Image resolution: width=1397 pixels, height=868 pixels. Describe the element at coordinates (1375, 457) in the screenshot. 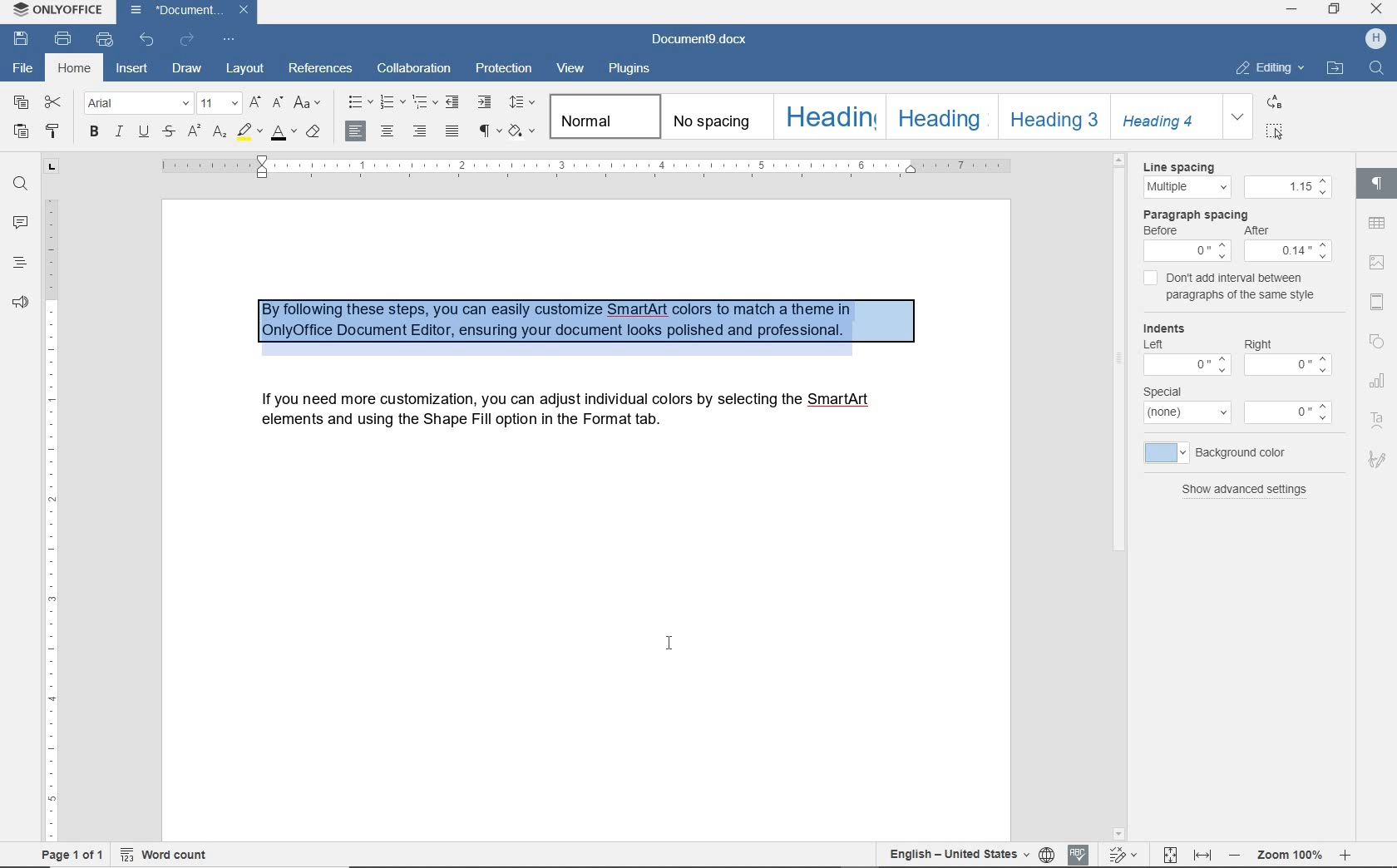

I see `signature` at that location.